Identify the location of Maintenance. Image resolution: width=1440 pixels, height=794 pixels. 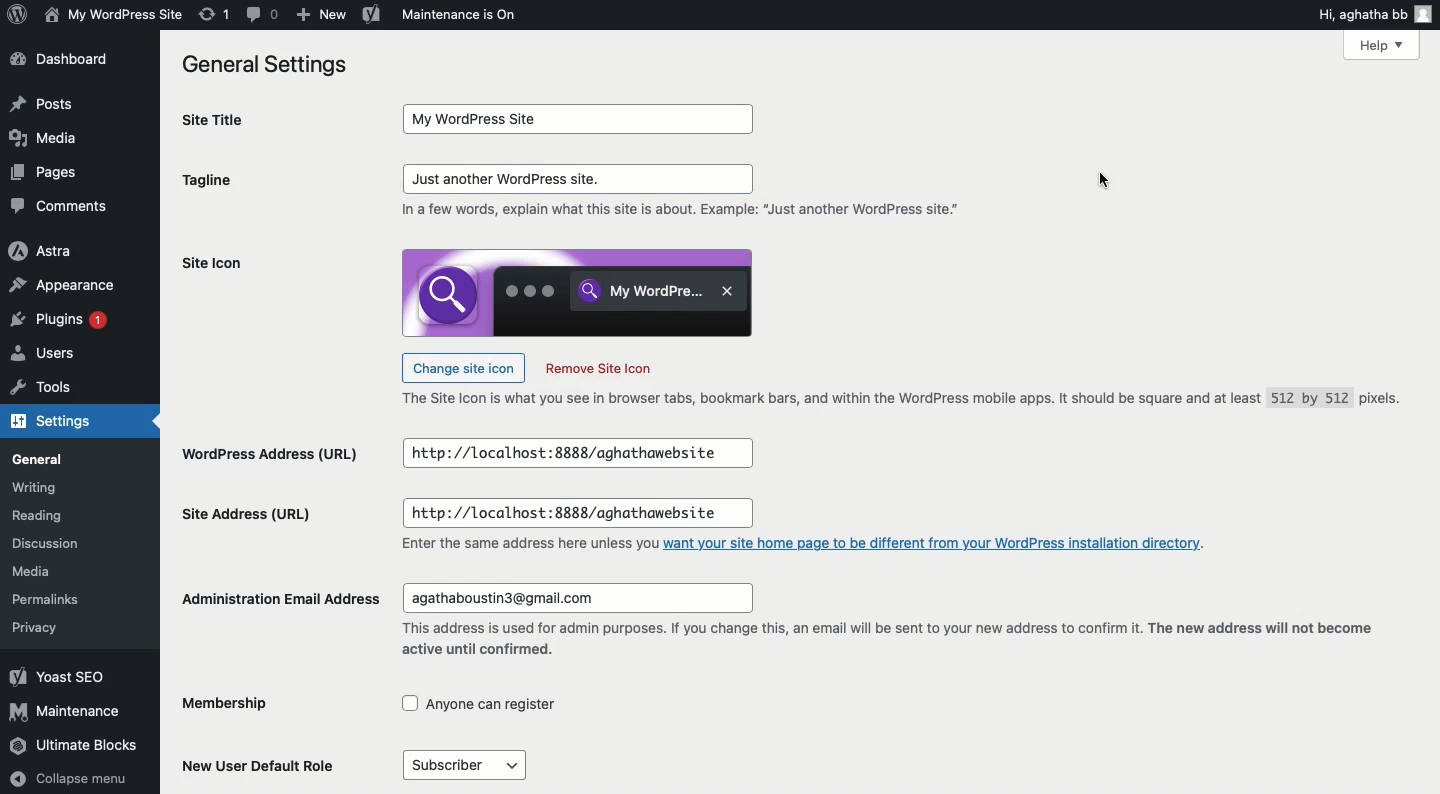
(67, 711).